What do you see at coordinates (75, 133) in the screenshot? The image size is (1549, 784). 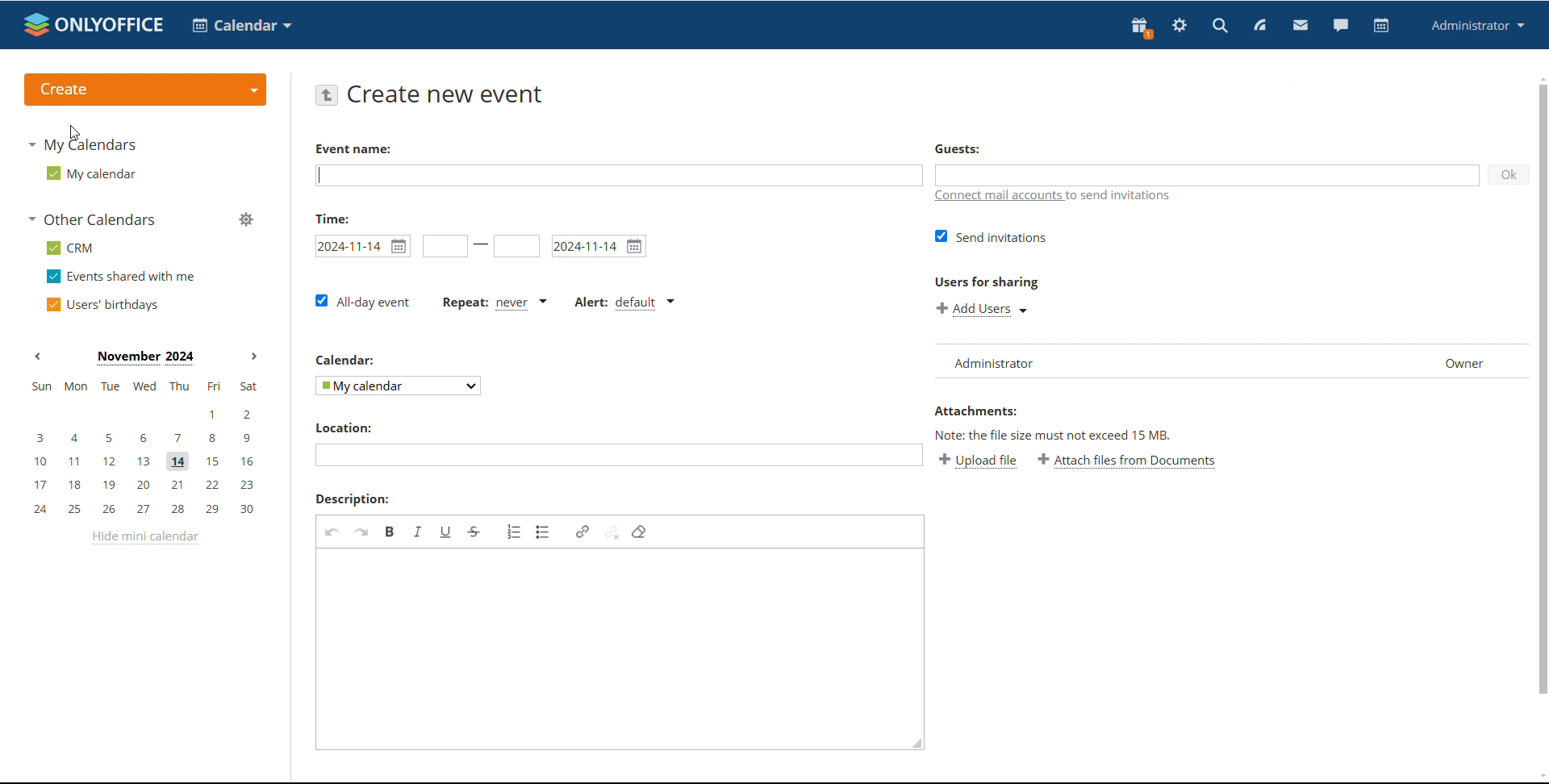 I see `cursor` at bounding box center [75, 133].